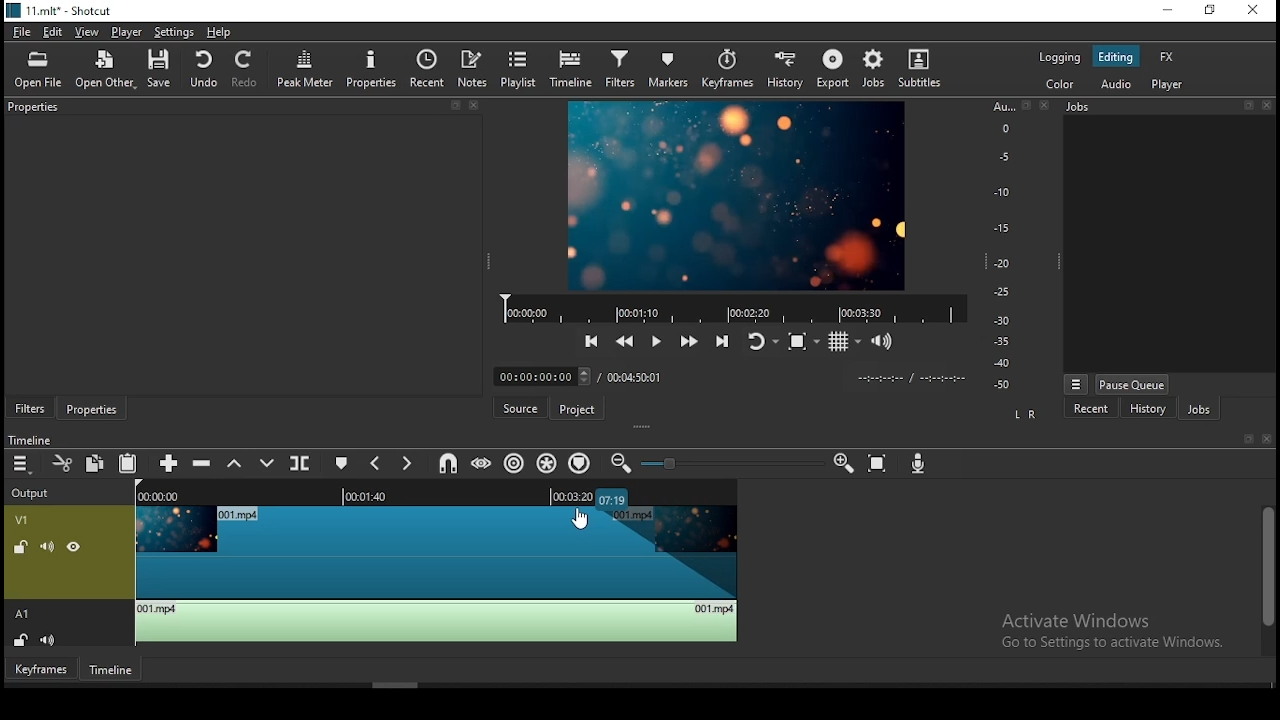  I want to click on open file, so click(39, 68).